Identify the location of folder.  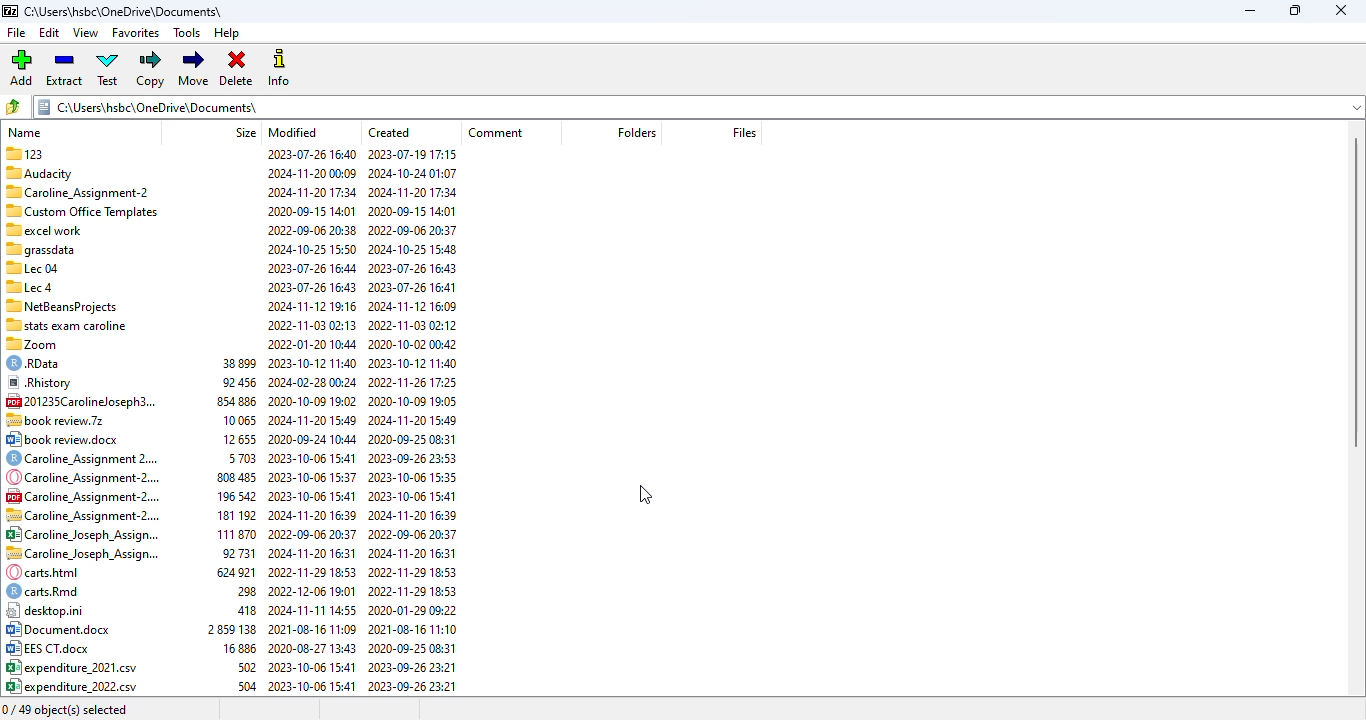
(635, 132).